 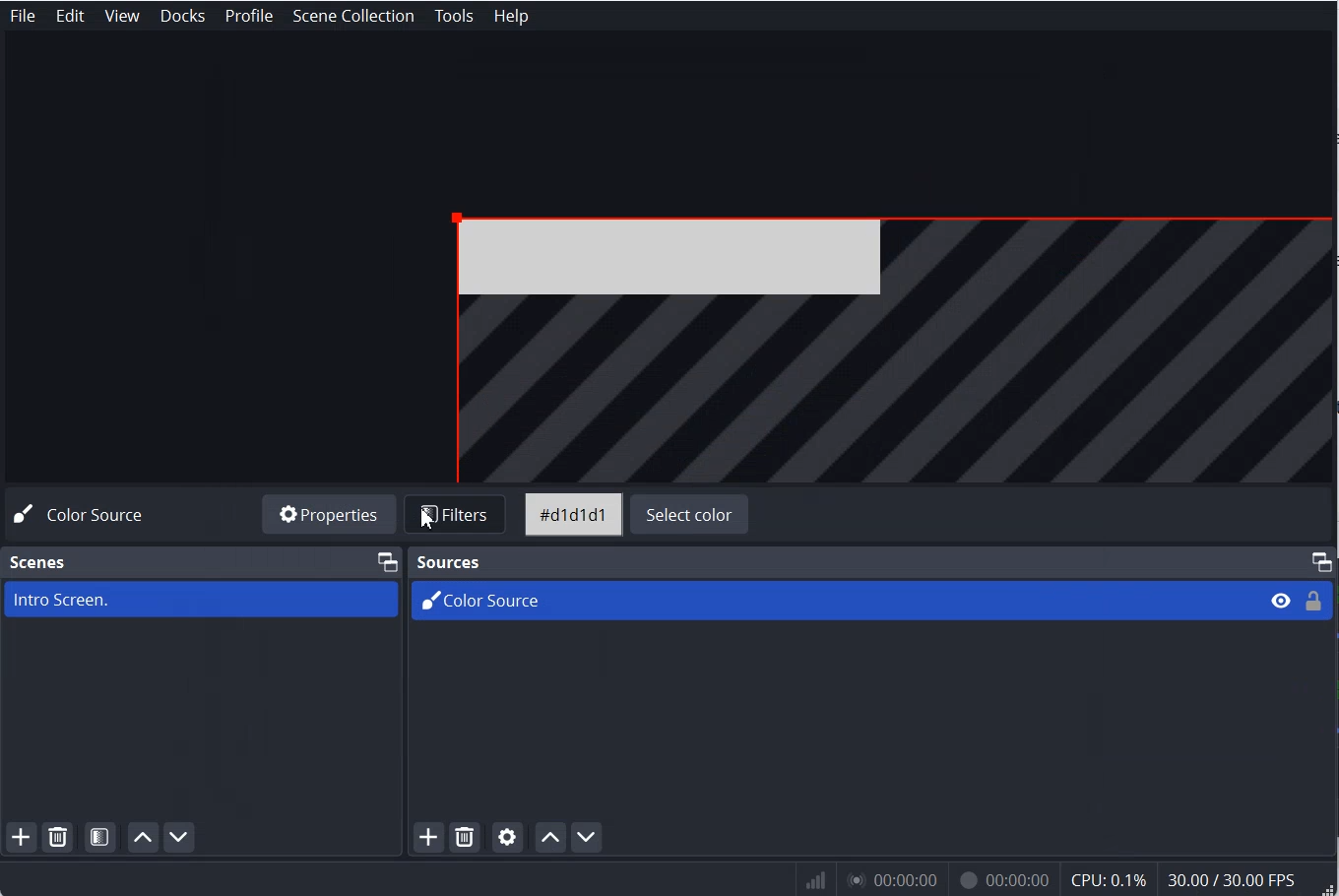 What do you see at coordinates (101, 837) in the screenshot?
I see `Open Scene Filter` at bounding box center [101, 837].